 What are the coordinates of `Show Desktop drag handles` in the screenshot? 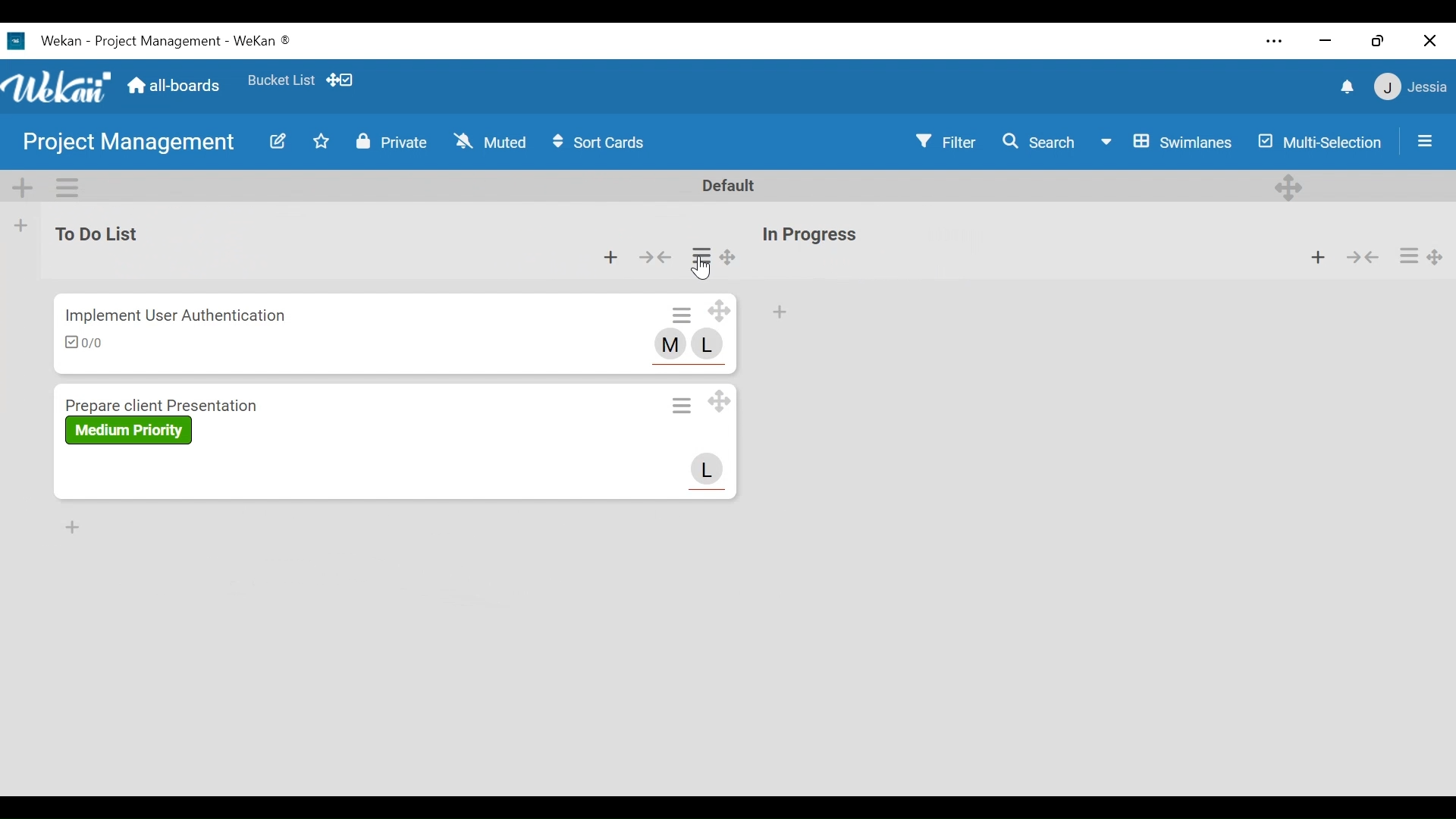 It's located at (339, 80).